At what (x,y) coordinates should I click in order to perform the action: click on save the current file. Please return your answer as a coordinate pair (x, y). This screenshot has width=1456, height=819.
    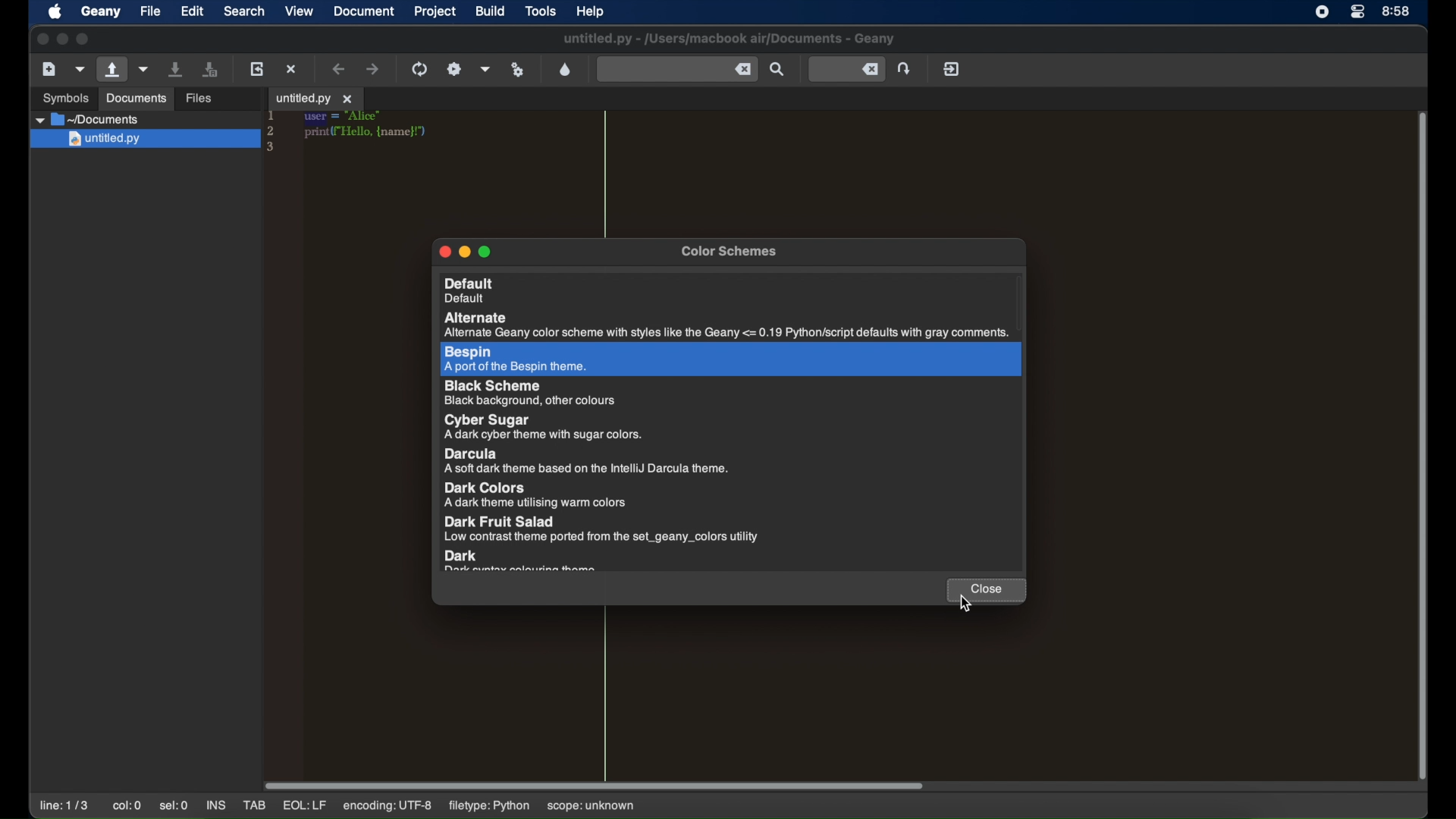
    Looking at the image, I should click on (177, 70).